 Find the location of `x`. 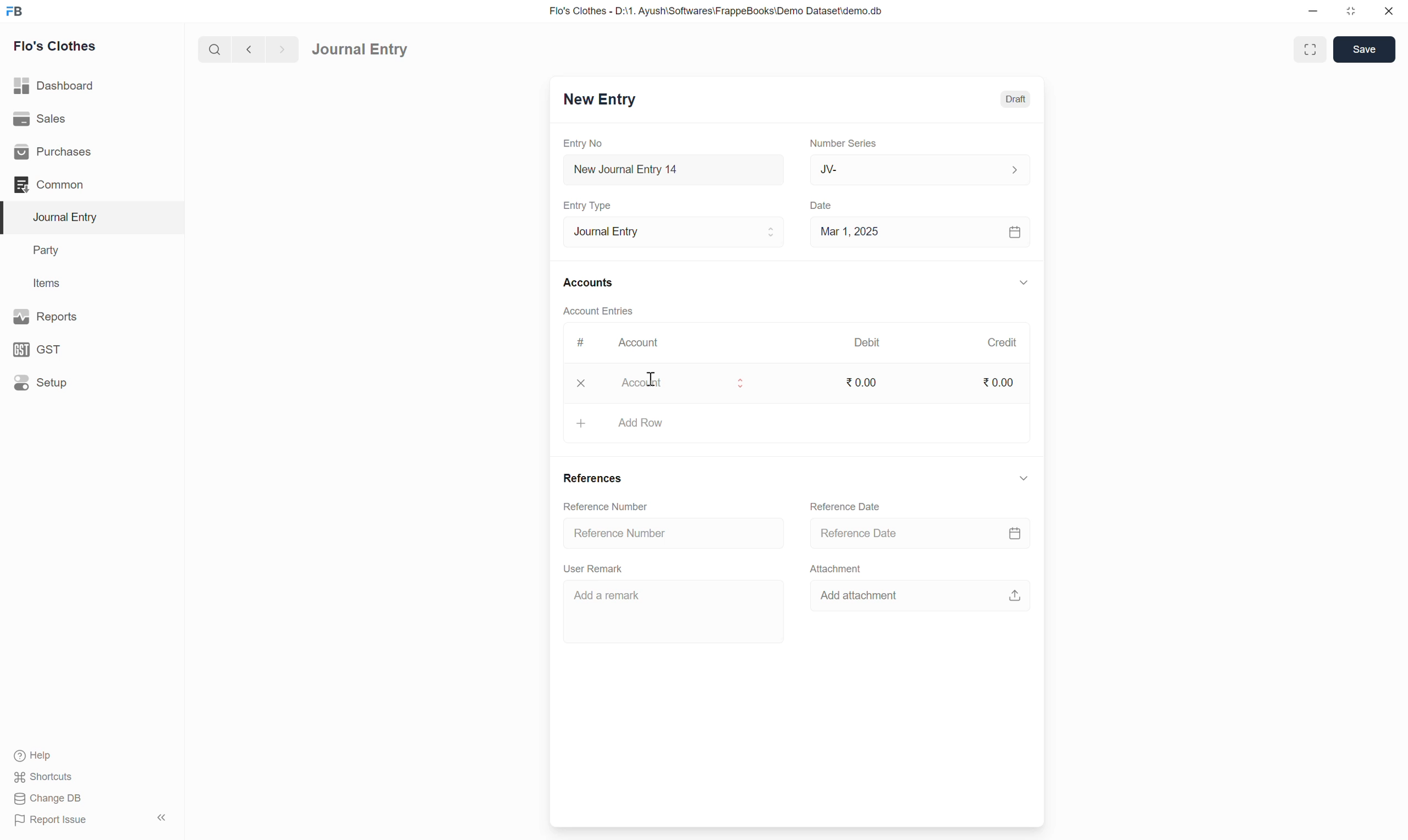

x is located at coordinates (583, 383).